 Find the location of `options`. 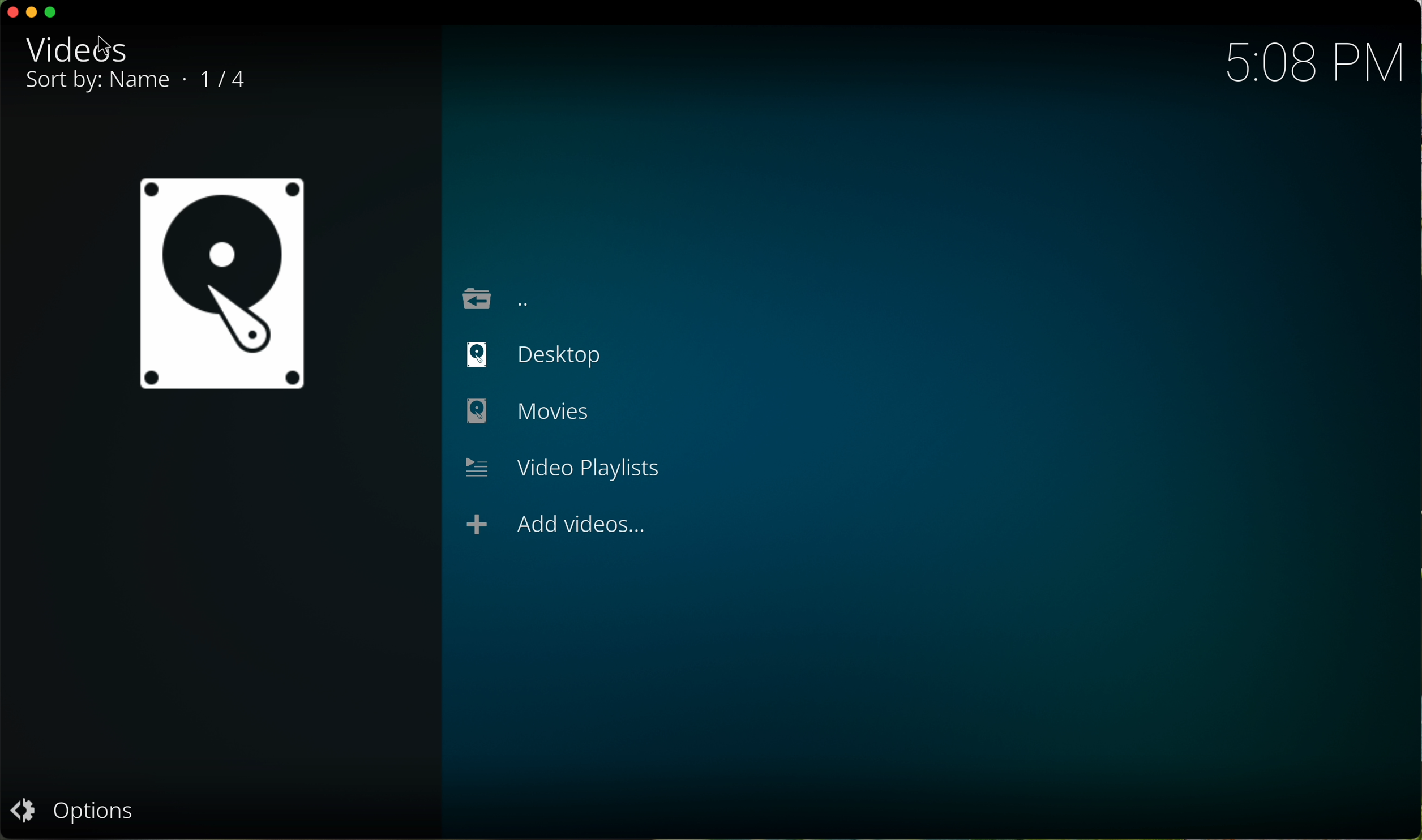

options is located at coordinates (75, 809).